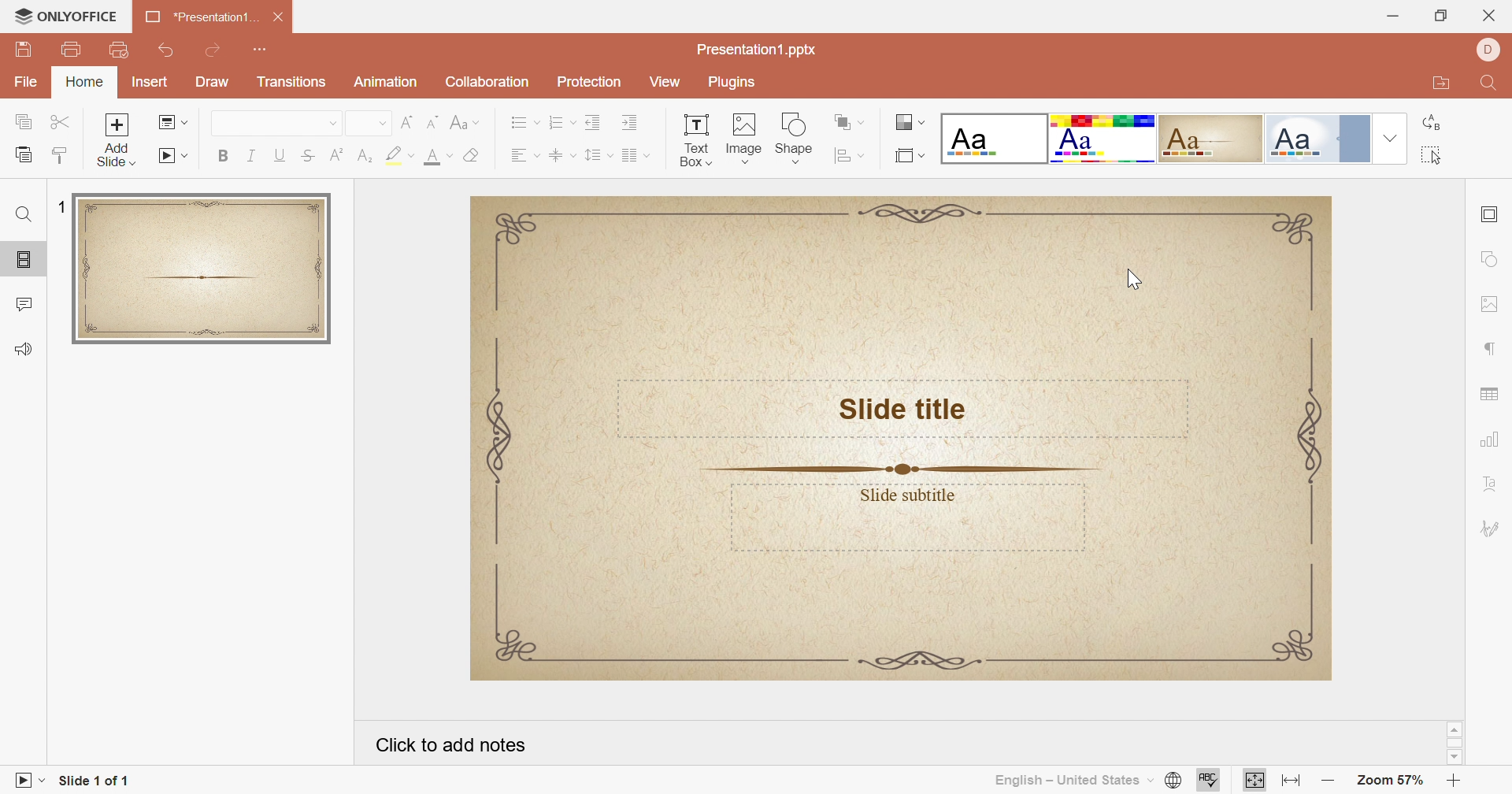  I want to click on Insert, so click(150, 80).